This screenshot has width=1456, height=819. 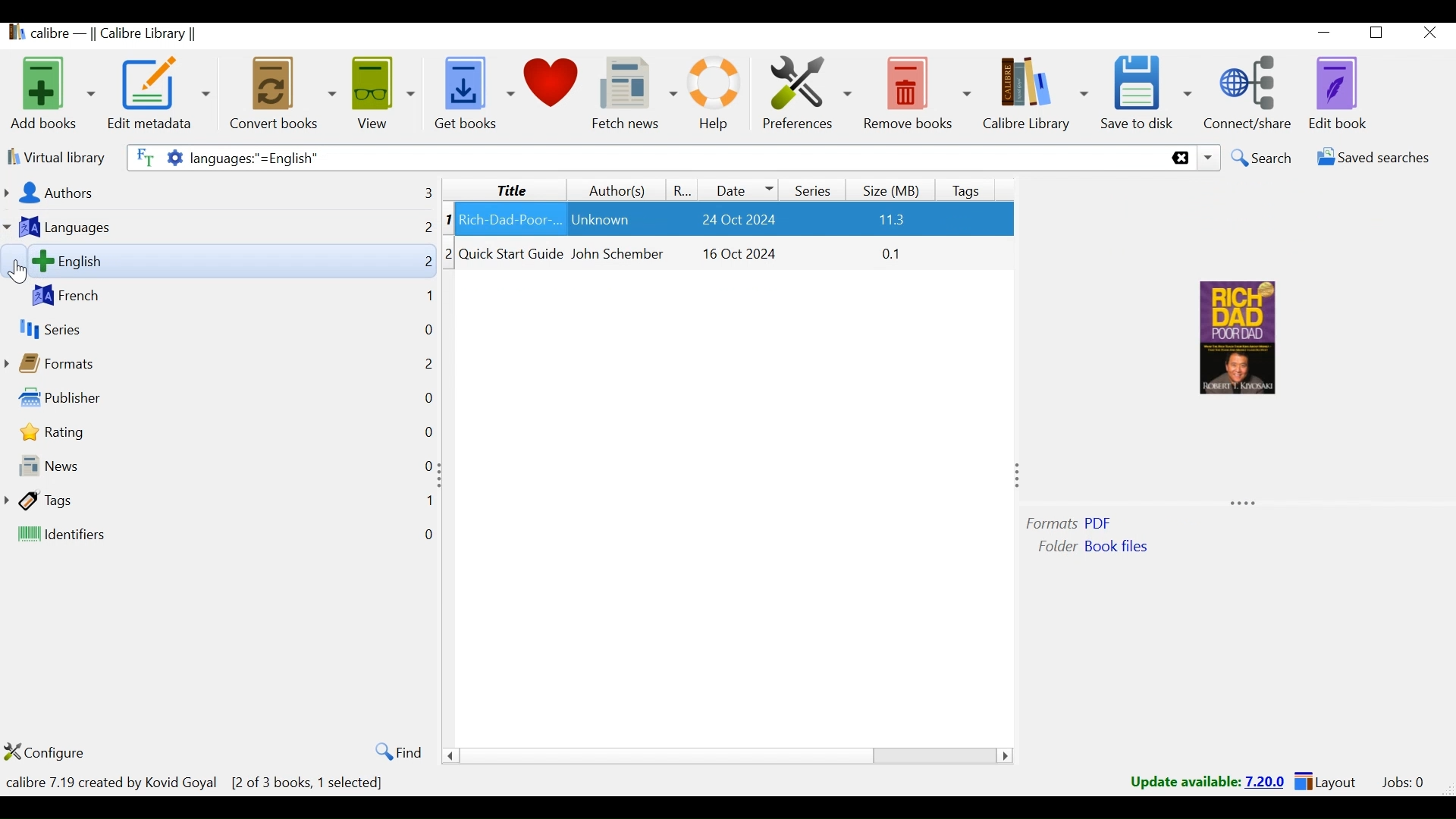 What do you see at coordinates (428, 395) in the screenshot?
I see `0` at bounding box center [428, 395].